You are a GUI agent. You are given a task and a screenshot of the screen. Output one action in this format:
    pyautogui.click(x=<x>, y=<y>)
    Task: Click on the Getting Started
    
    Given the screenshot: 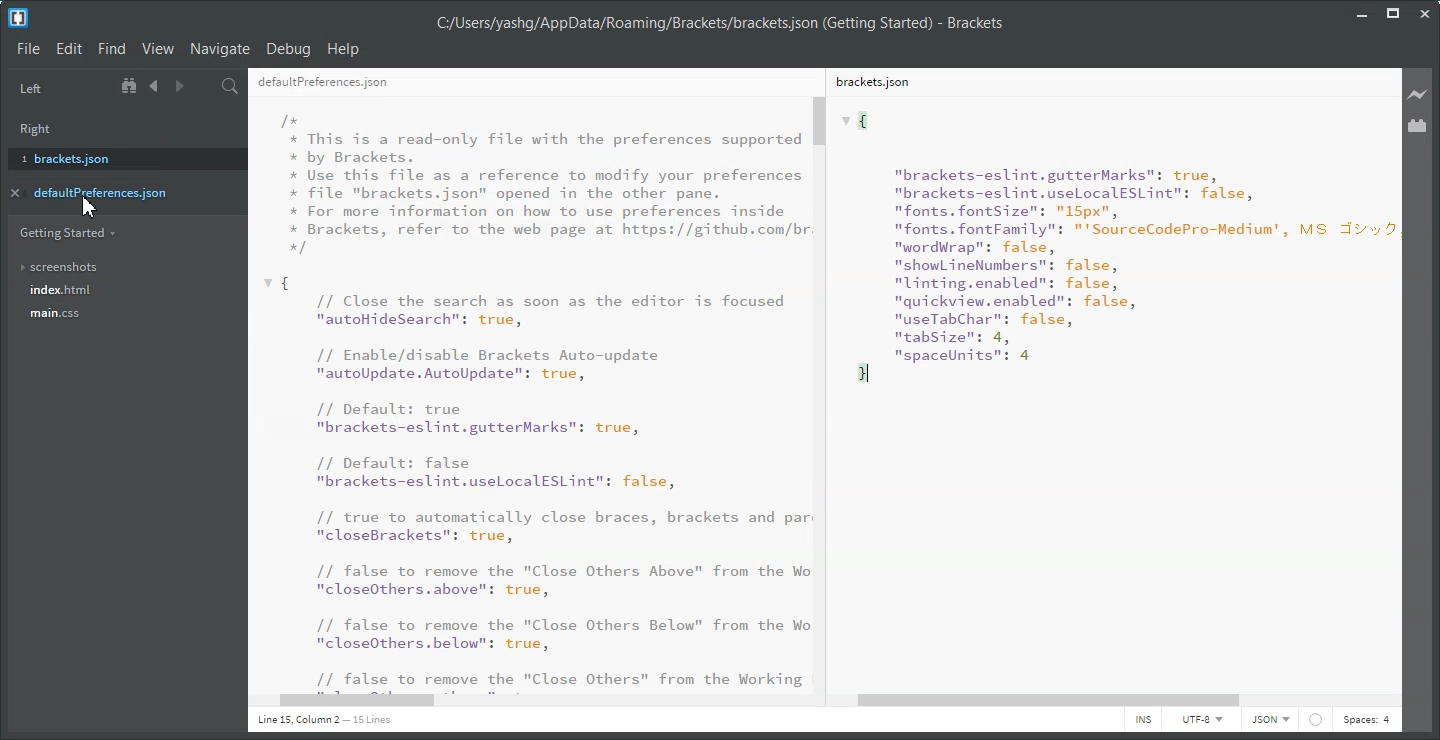 What is the action you would take?
    pyautogui.click(x=67, y=232)
    